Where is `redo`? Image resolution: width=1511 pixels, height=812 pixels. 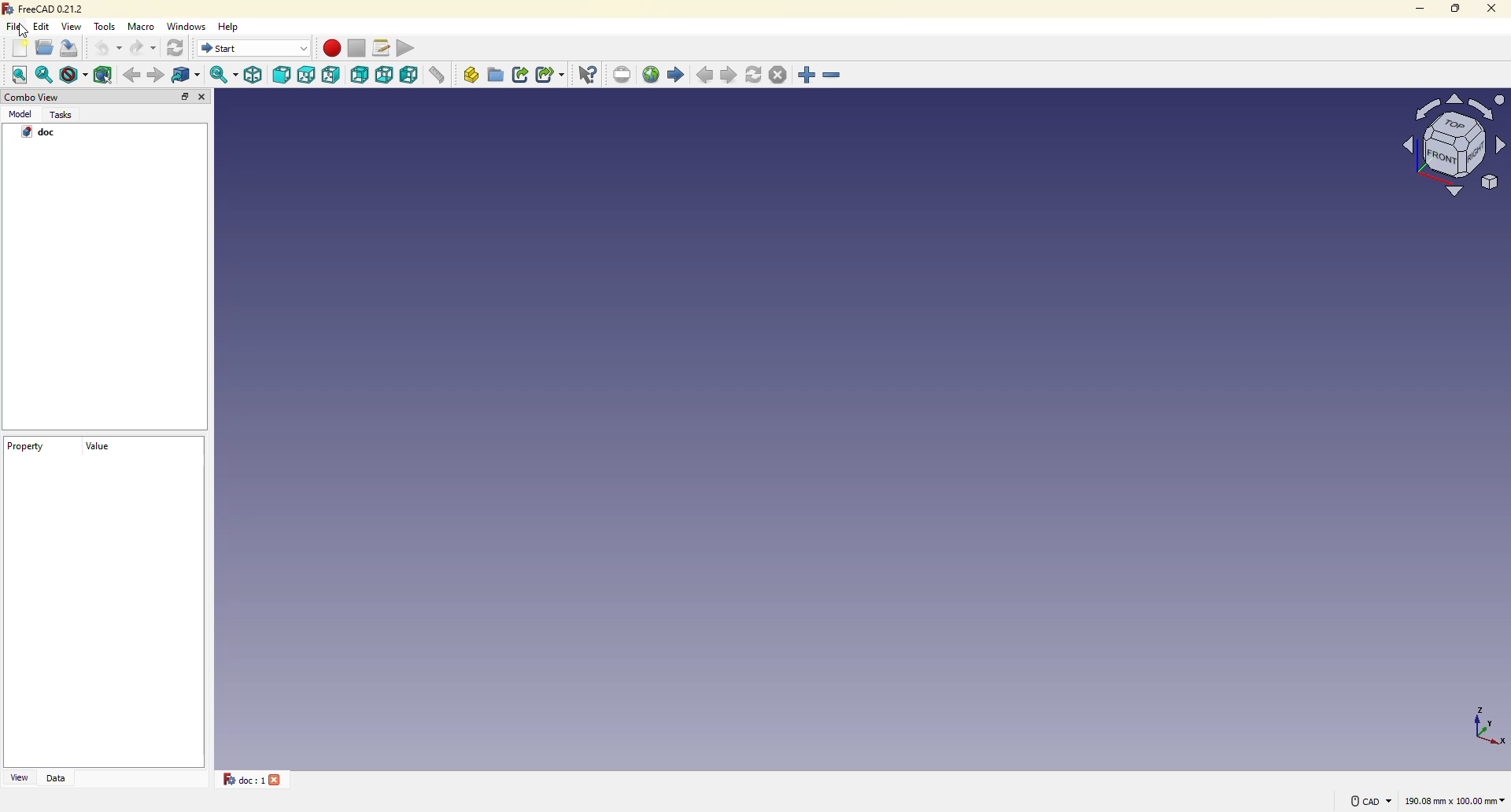
redo is located at coordinates (144, 50).